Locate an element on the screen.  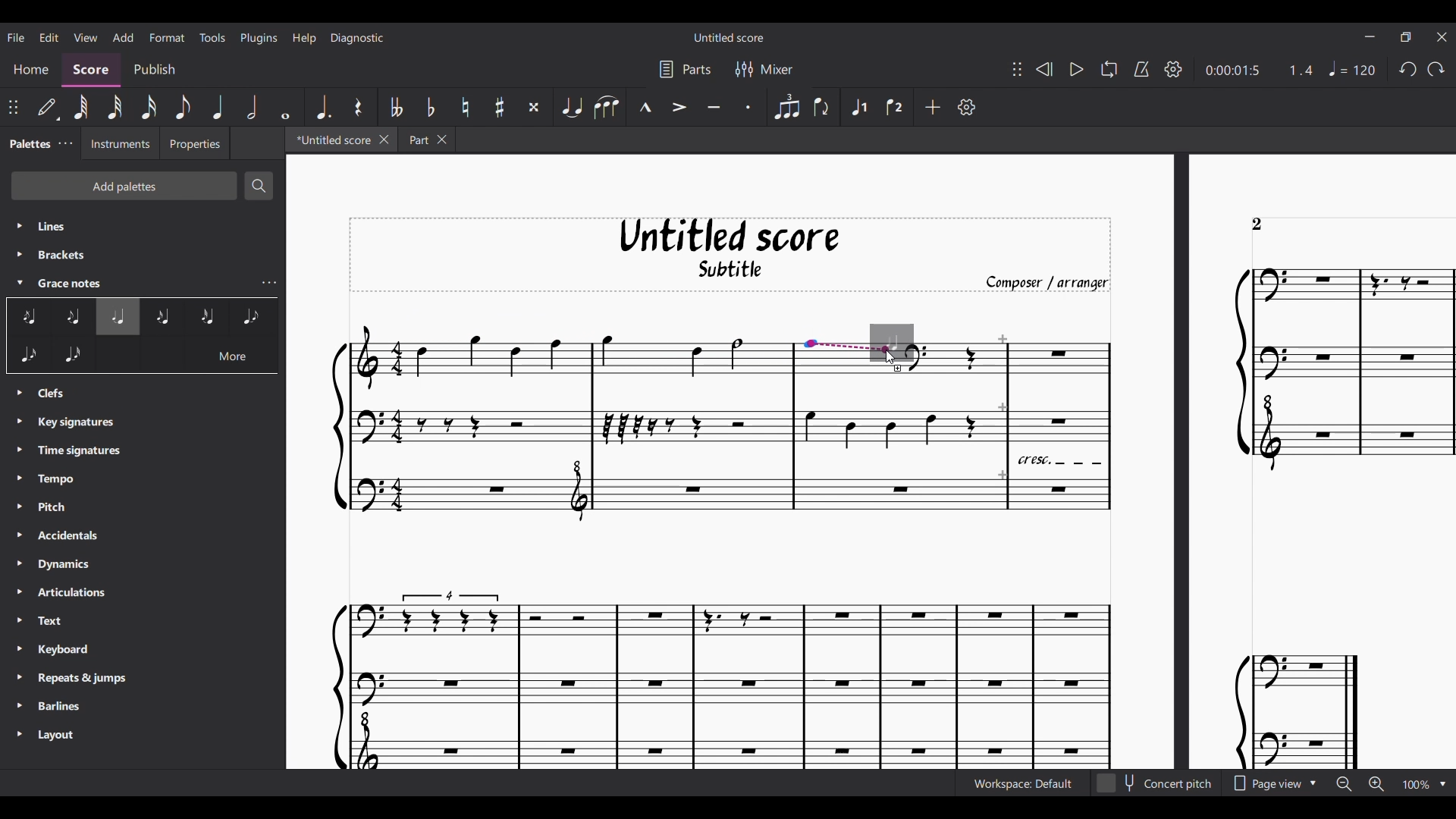
Toggle for Concert pitch is located at coordinates (1156, 783).